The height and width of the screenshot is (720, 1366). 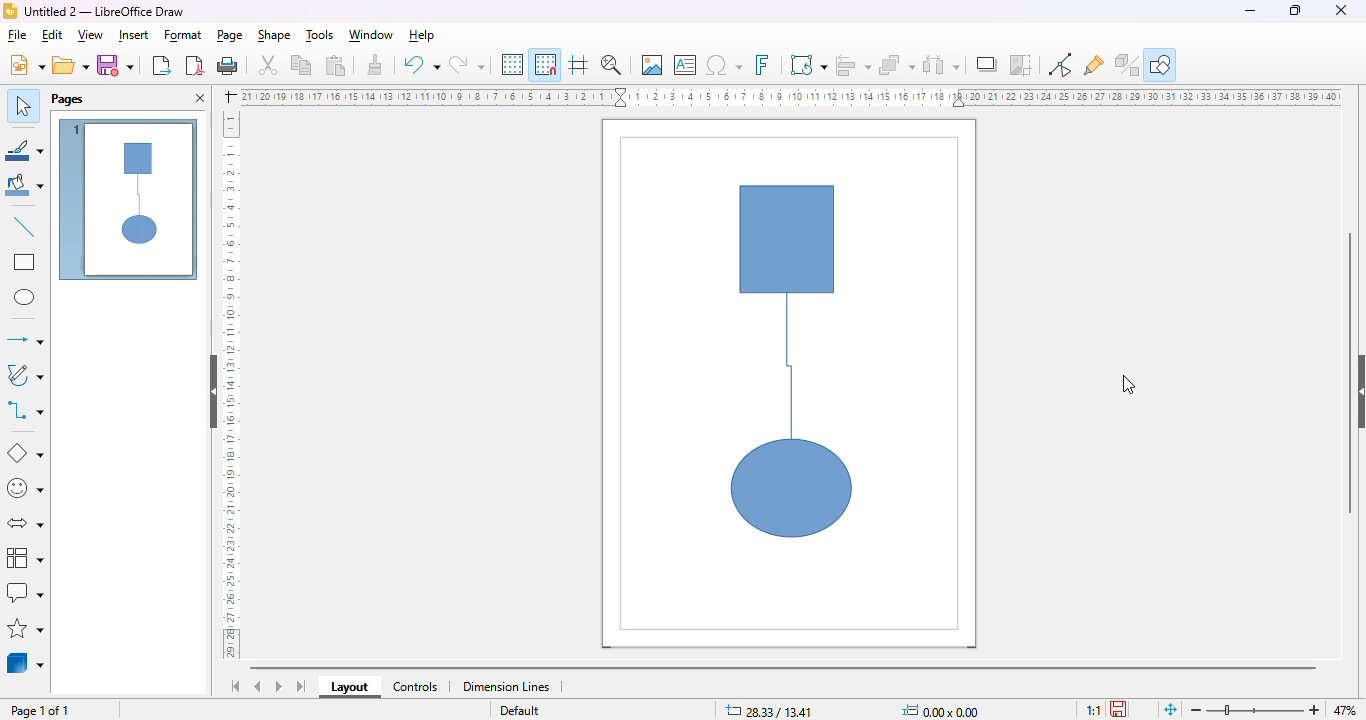 I want to click on controls, so click(x=416, y=687).